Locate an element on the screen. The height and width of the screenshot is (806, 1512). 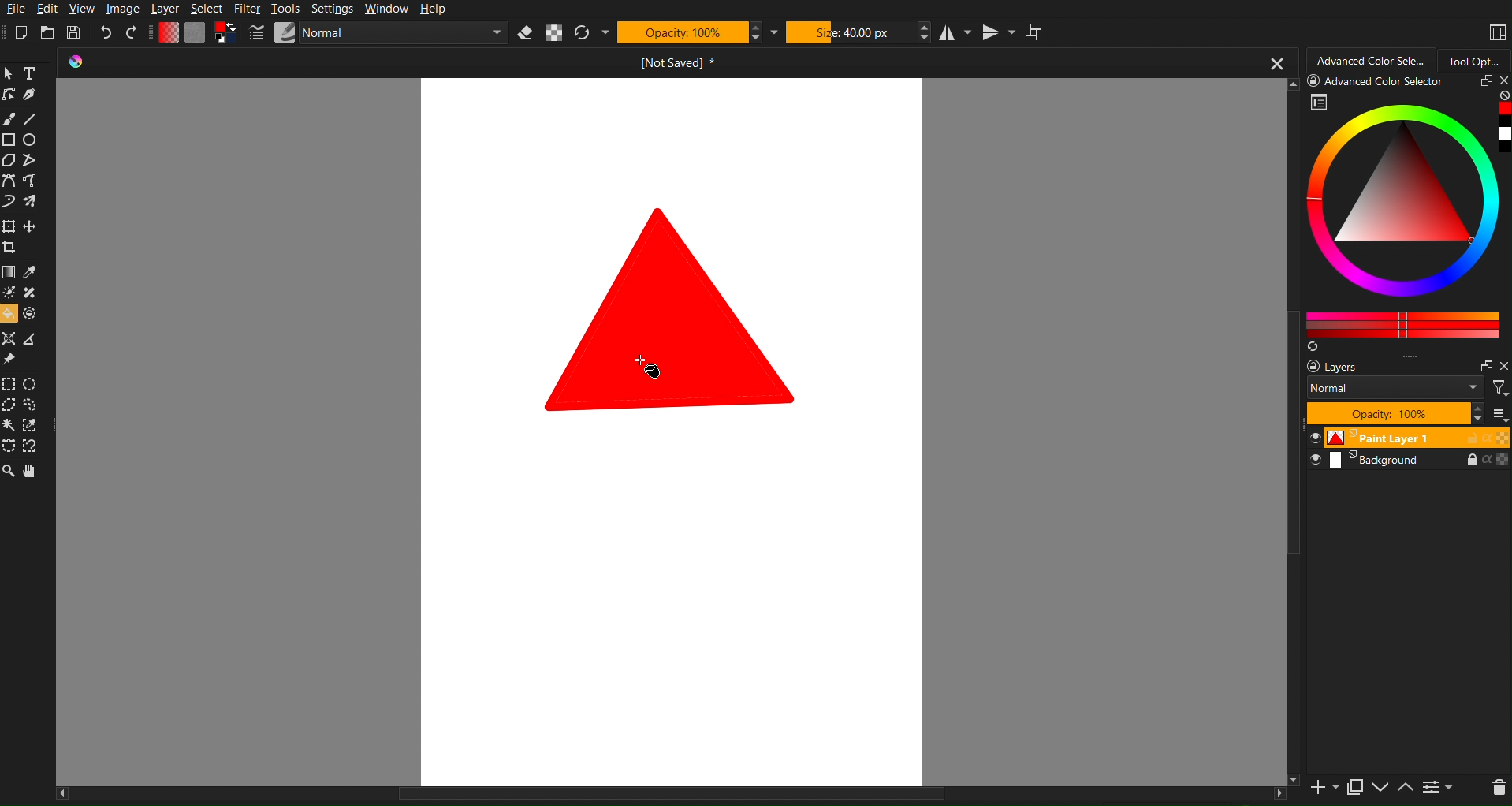
crop the image to an area is located at coordinates (11, 248).